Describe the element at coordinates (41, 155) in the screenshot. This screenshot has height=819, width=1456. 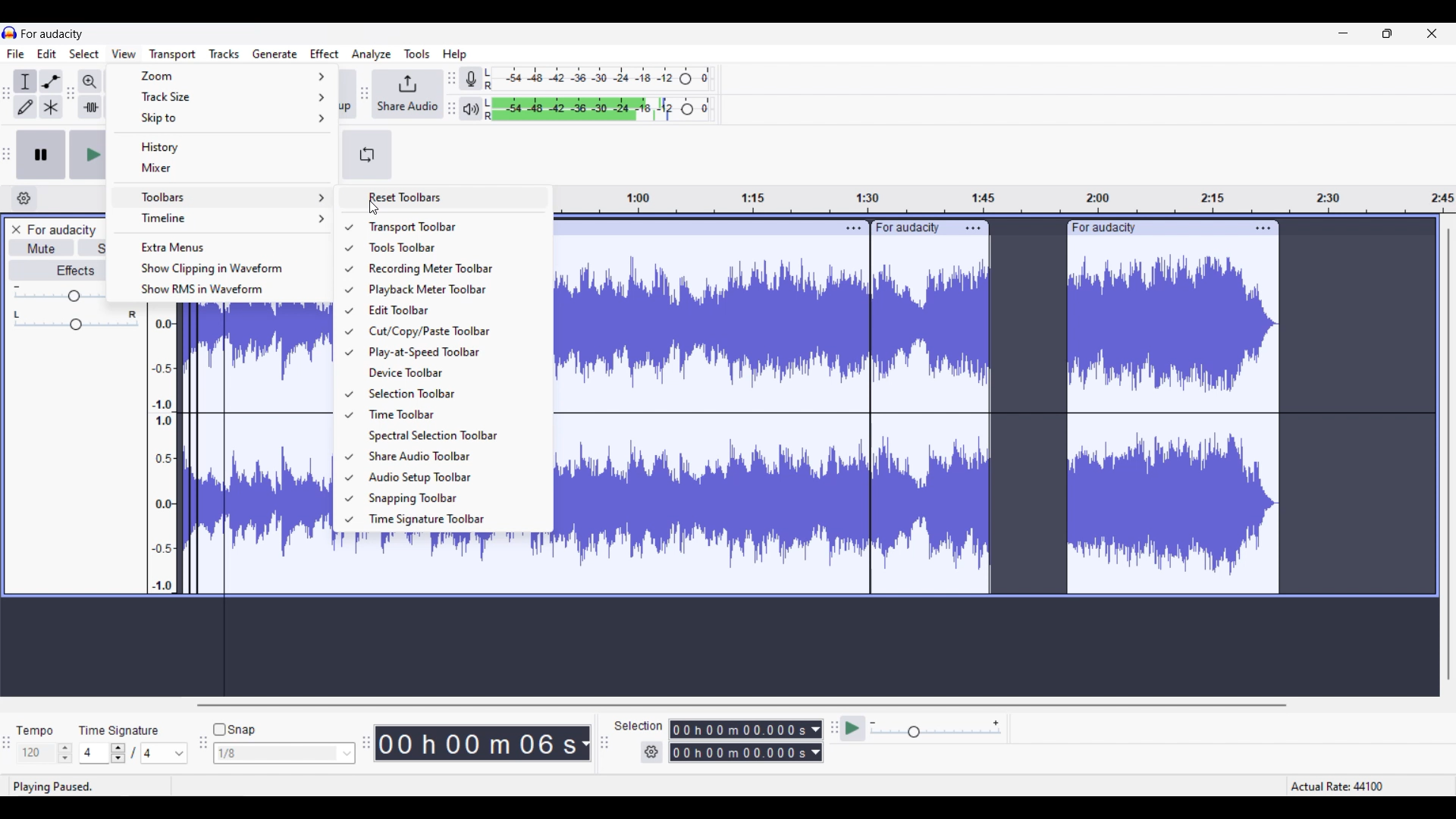
I see `Pause` at that location.